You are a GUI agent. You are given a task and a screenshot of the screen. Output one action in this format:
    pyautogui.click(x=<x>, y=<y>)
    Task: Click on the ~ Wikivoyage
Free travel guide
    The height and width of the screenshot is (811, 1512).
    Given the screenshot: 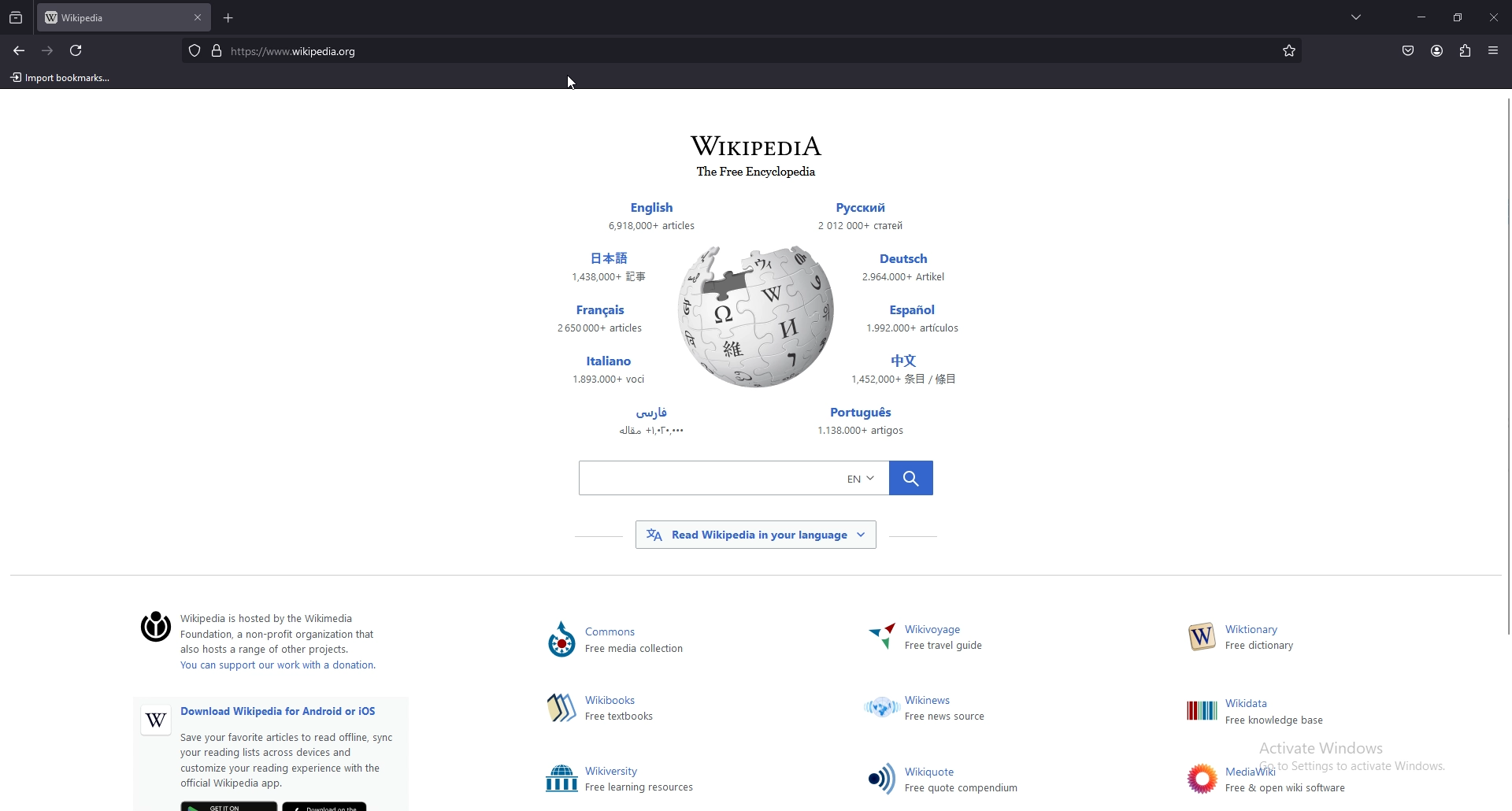 What is the action you would take?
    pyautogui.click(x=951, y=639)
    